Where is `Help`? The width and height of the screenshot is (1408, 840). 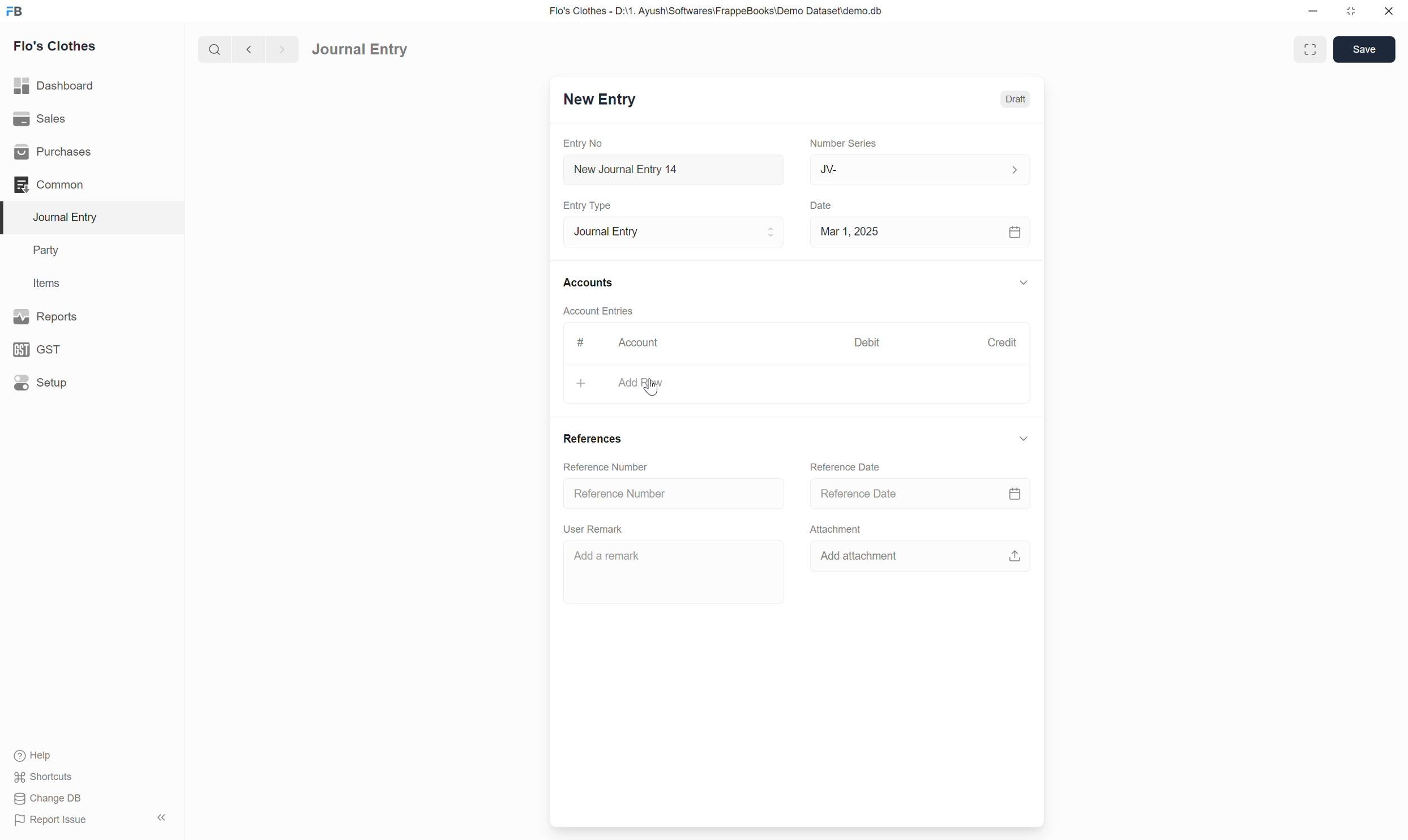
Help is located at coordinates (36, 756).